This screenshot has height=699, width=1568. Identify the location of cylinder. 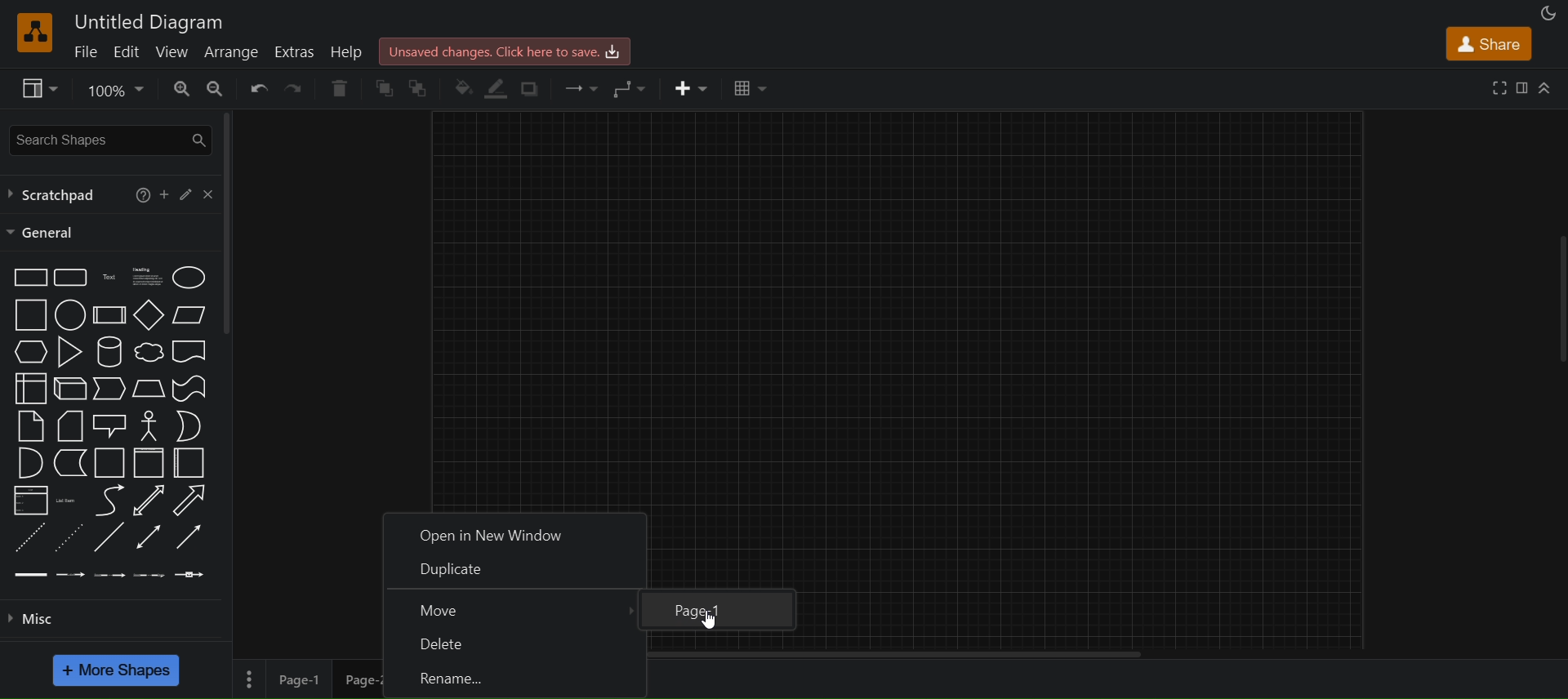
(107, 353).